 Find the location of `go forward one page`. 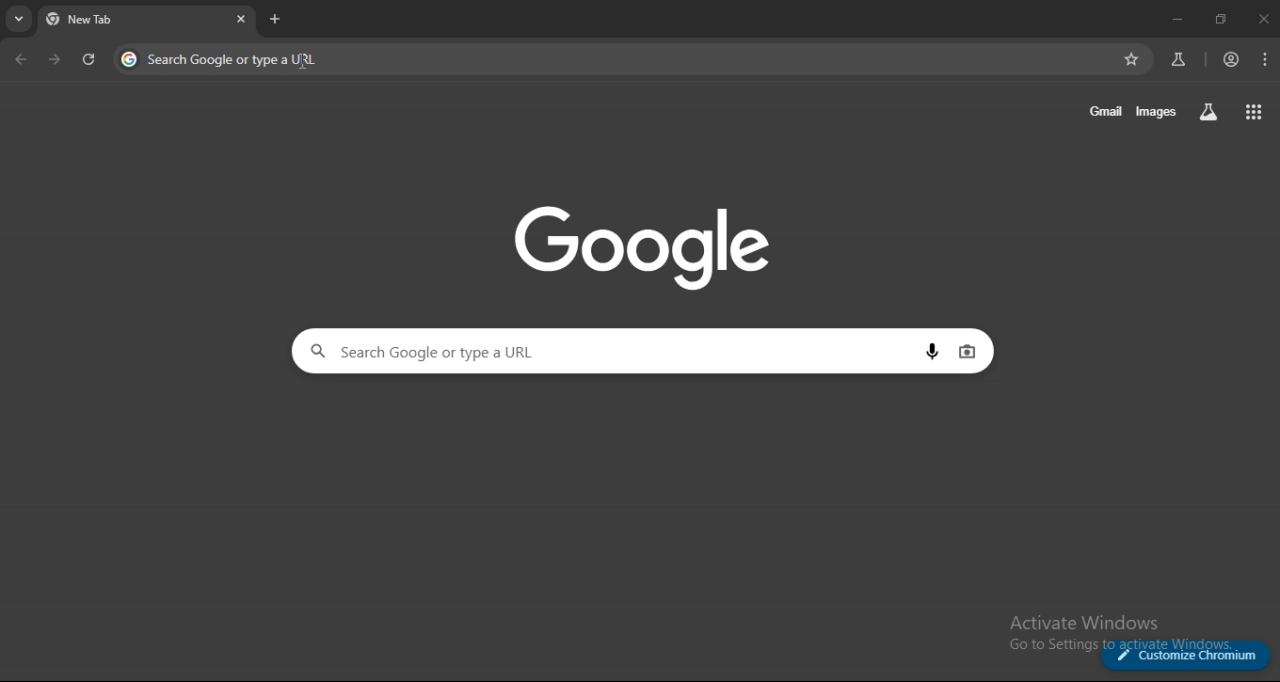

go forward one page is located at coordinates (58, 60).